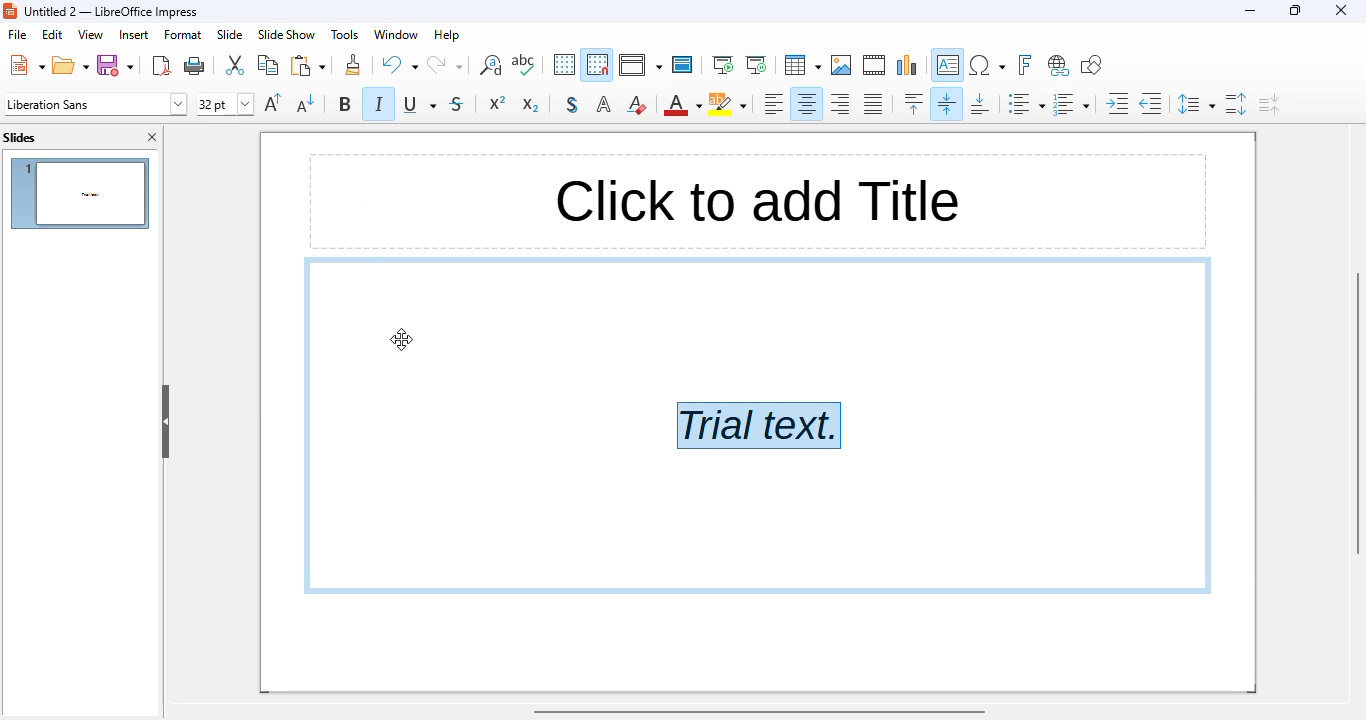  I want to click on snap to grid, so click(598, 65).